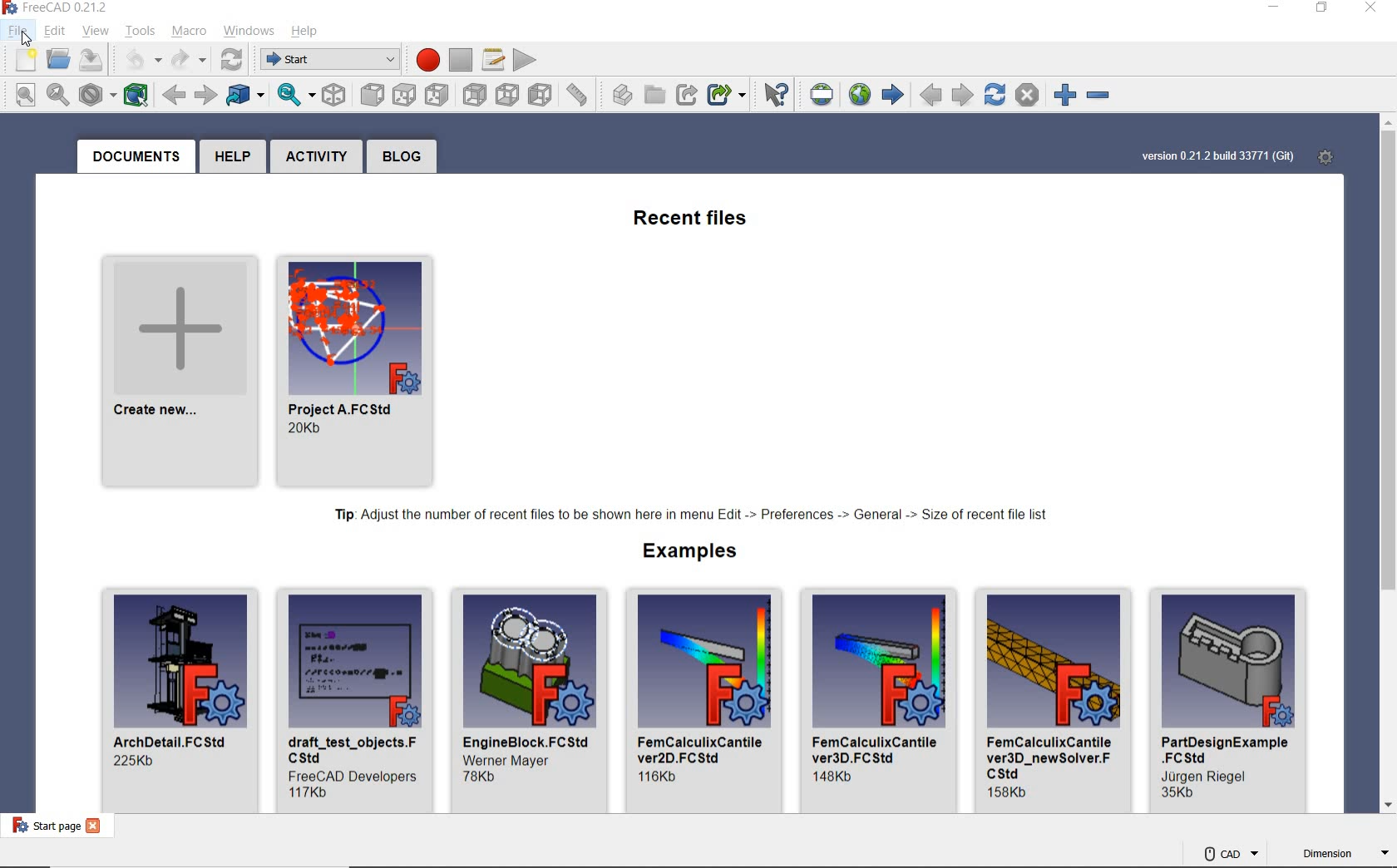 This screenshot has height=868, width=1397. What do you see at coordinates (994, 93) in the screenshot?
I see `REFRESH WEBPAGE` at bounding box center [994, 93].